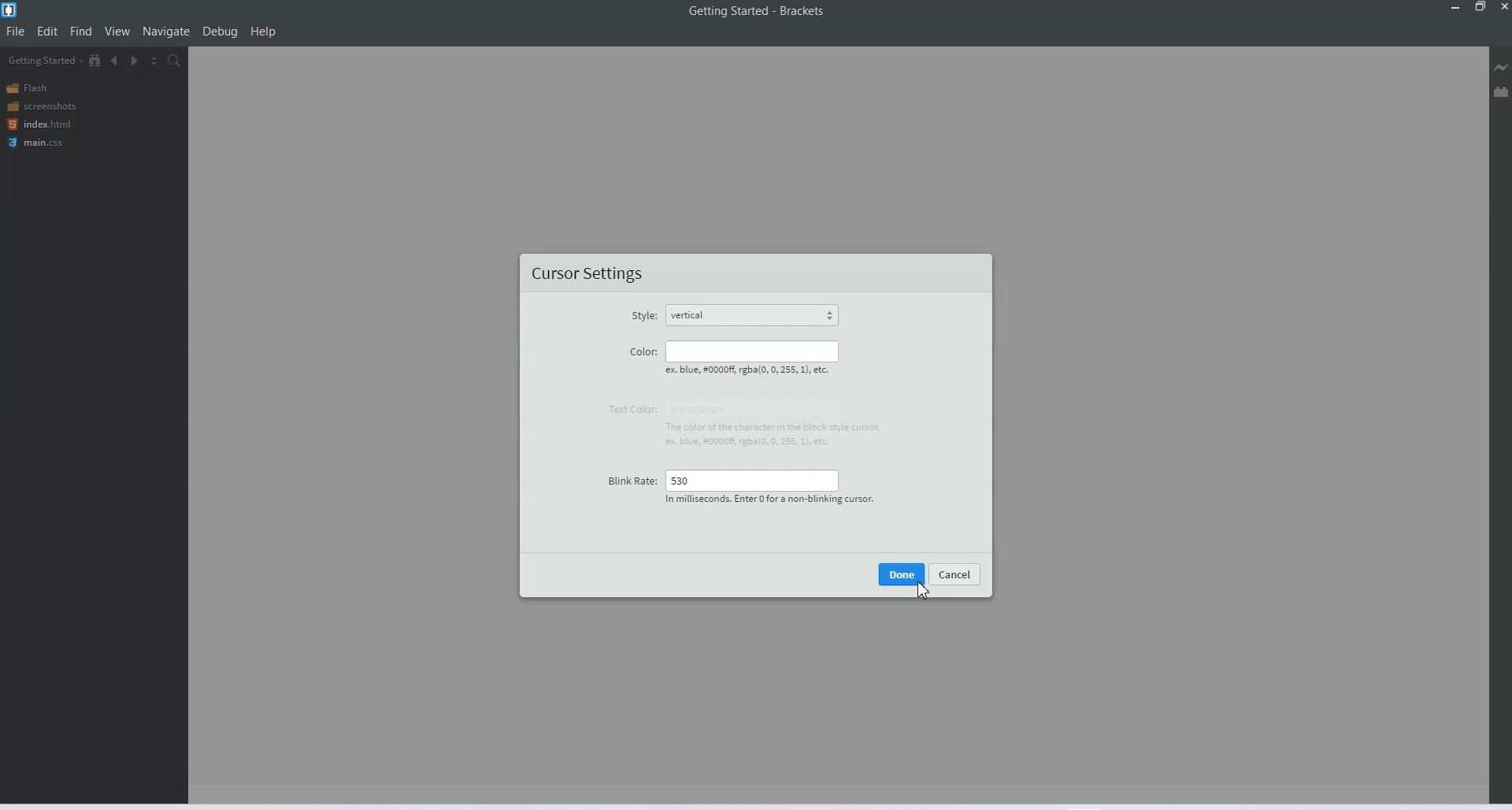  Describe the element at coordinates (757, 371) in the screenshot. I see `example` at that location.